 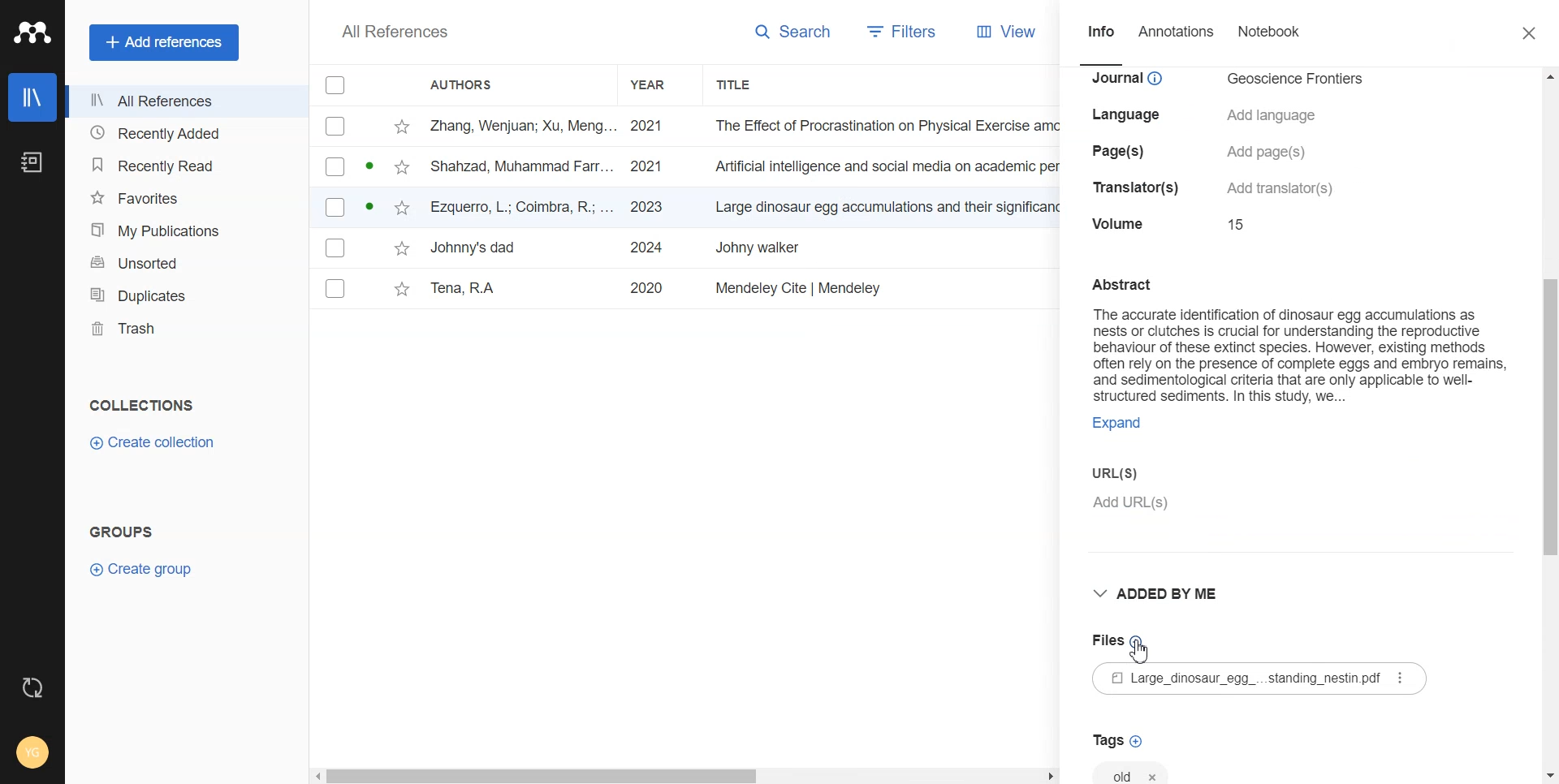 What do you see at coordinates (1271, 32) in the screenshot?
I see `Notebook` at bounding box center [1271, 32].